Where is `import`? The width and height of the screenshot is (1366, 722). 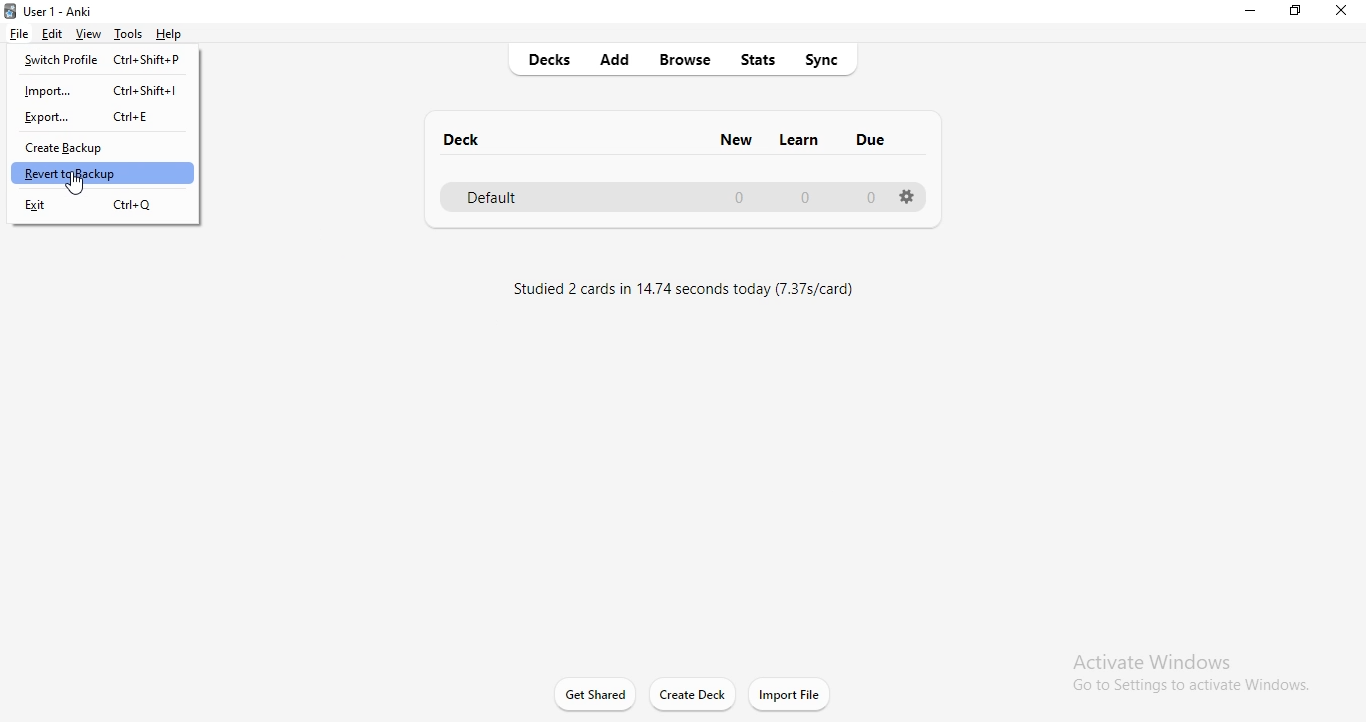
import is located at coordinates (107, 91).